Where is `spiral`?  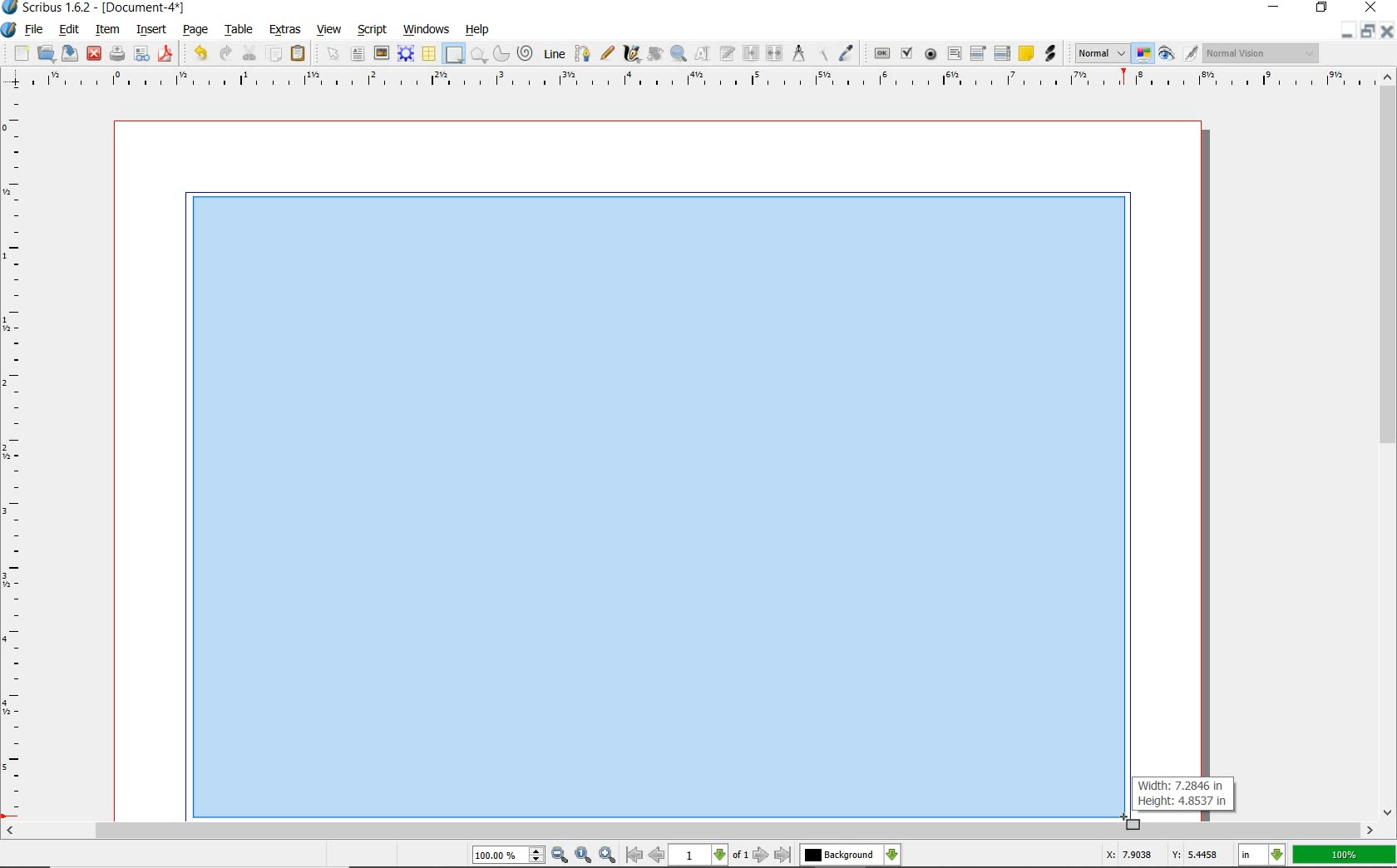 spiral is located at coordinates (526, 53).